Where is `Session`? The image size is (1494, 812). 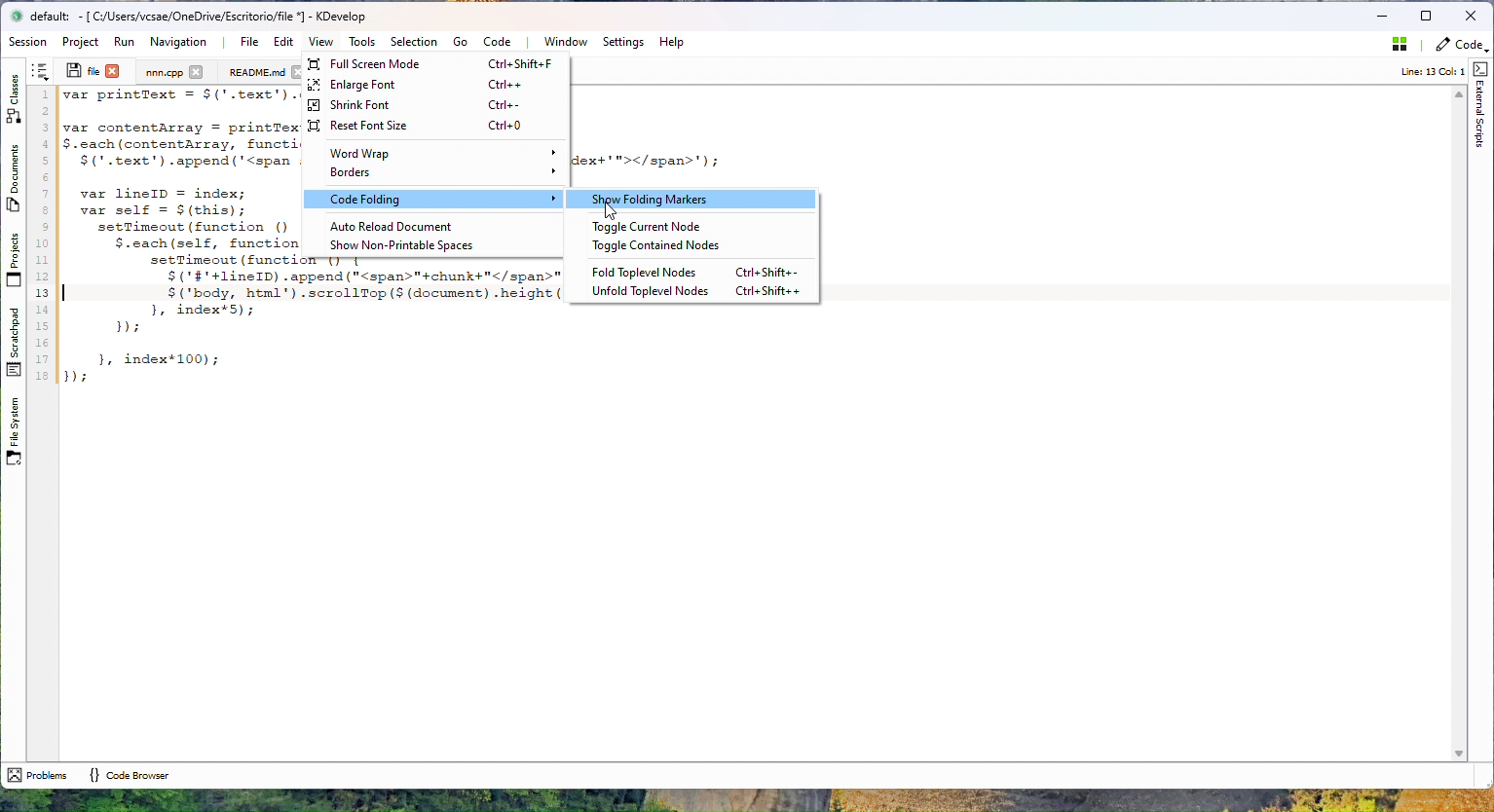 Session is located at coordinates (30, 43).